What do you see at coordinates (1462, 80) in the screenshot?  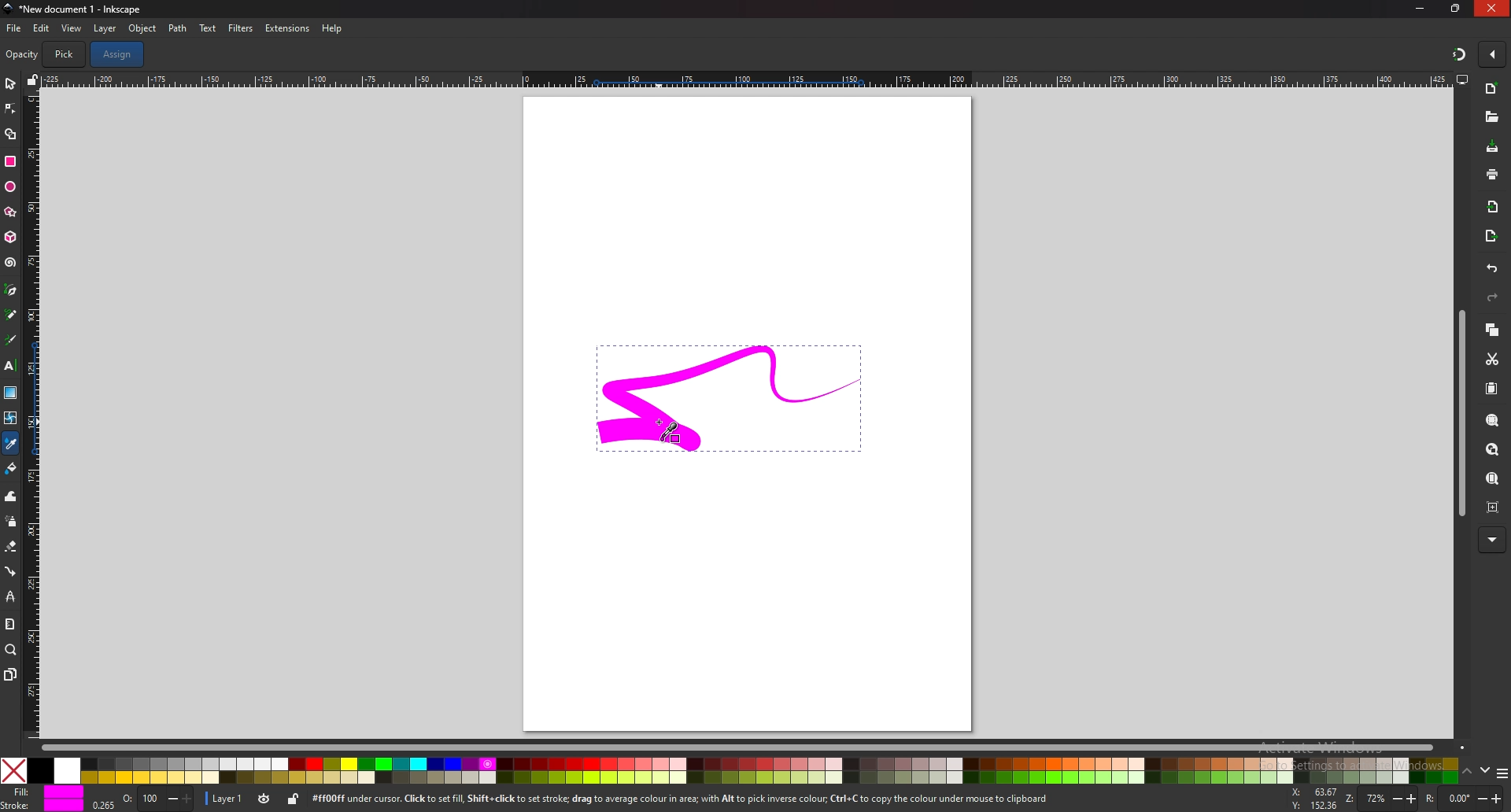 I see `display views` at bounding box center [1462, 80].